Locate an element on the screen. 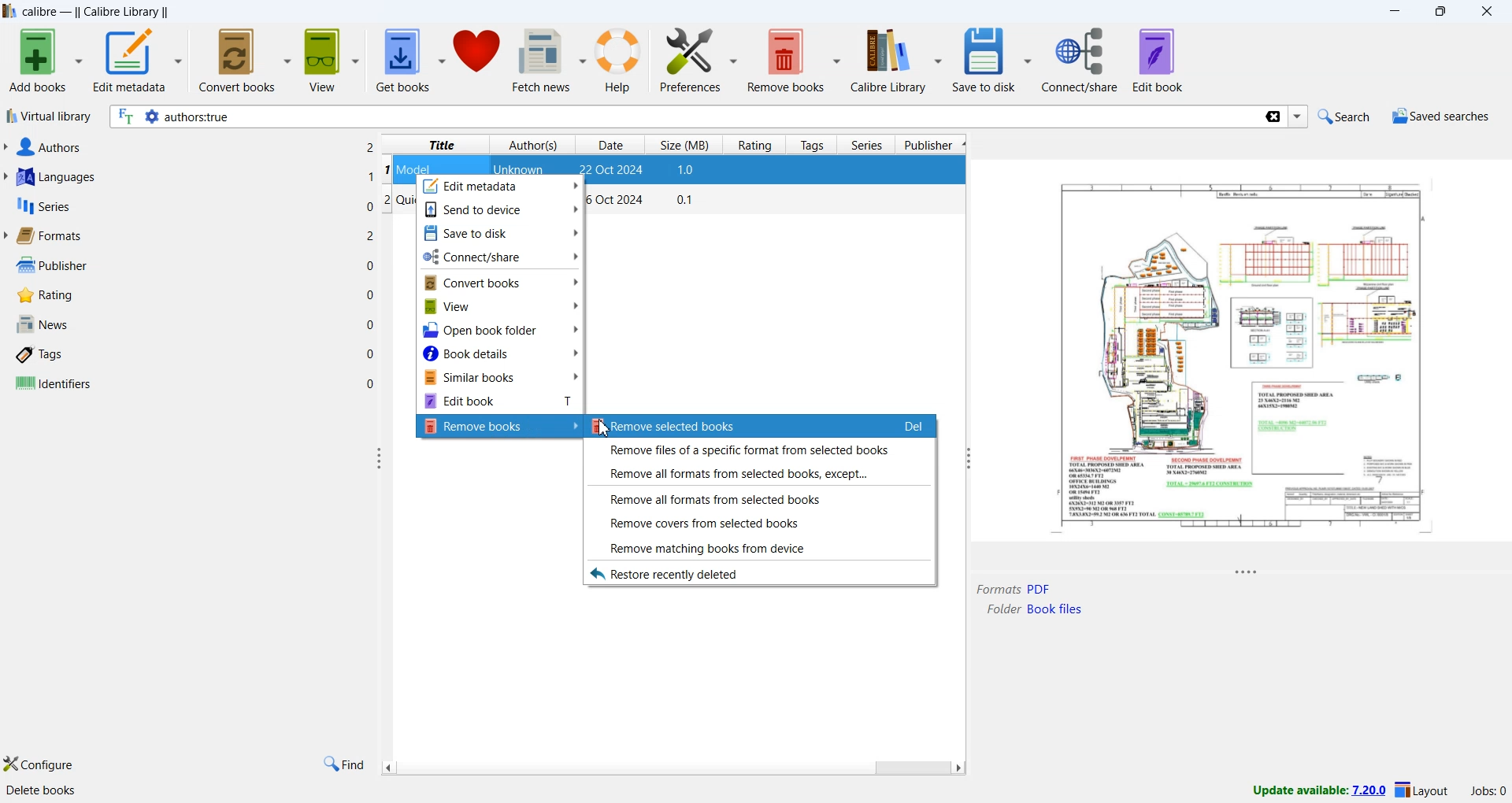  Remove files of a specific format from selected books is located at coordinates (759, 450).